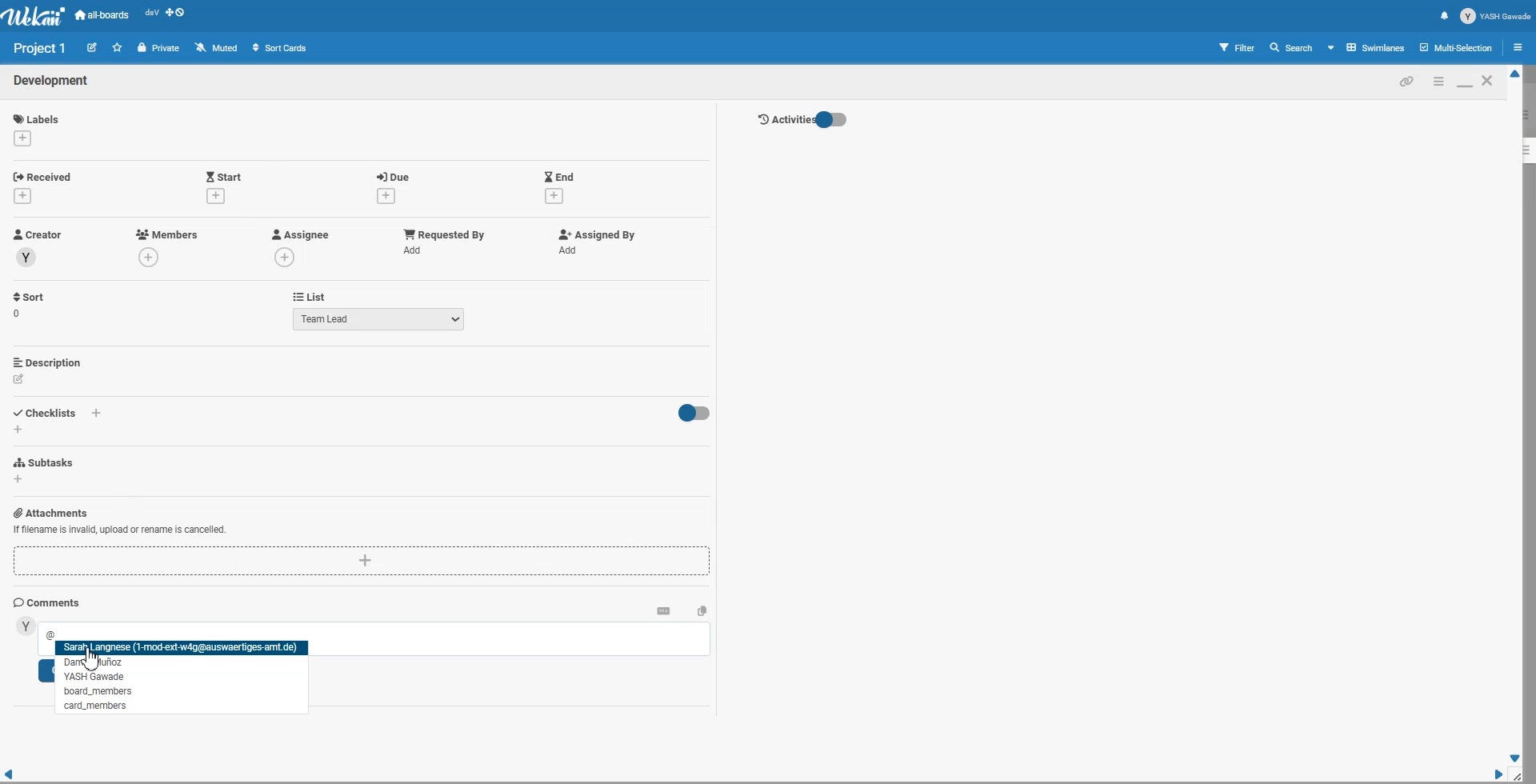 Image resolution: width=1536 pixels, height=784 pixels. What do you see at coordinates (218, 47) in the screenshot?
I see `Muted` at bounding box center [218, 47].